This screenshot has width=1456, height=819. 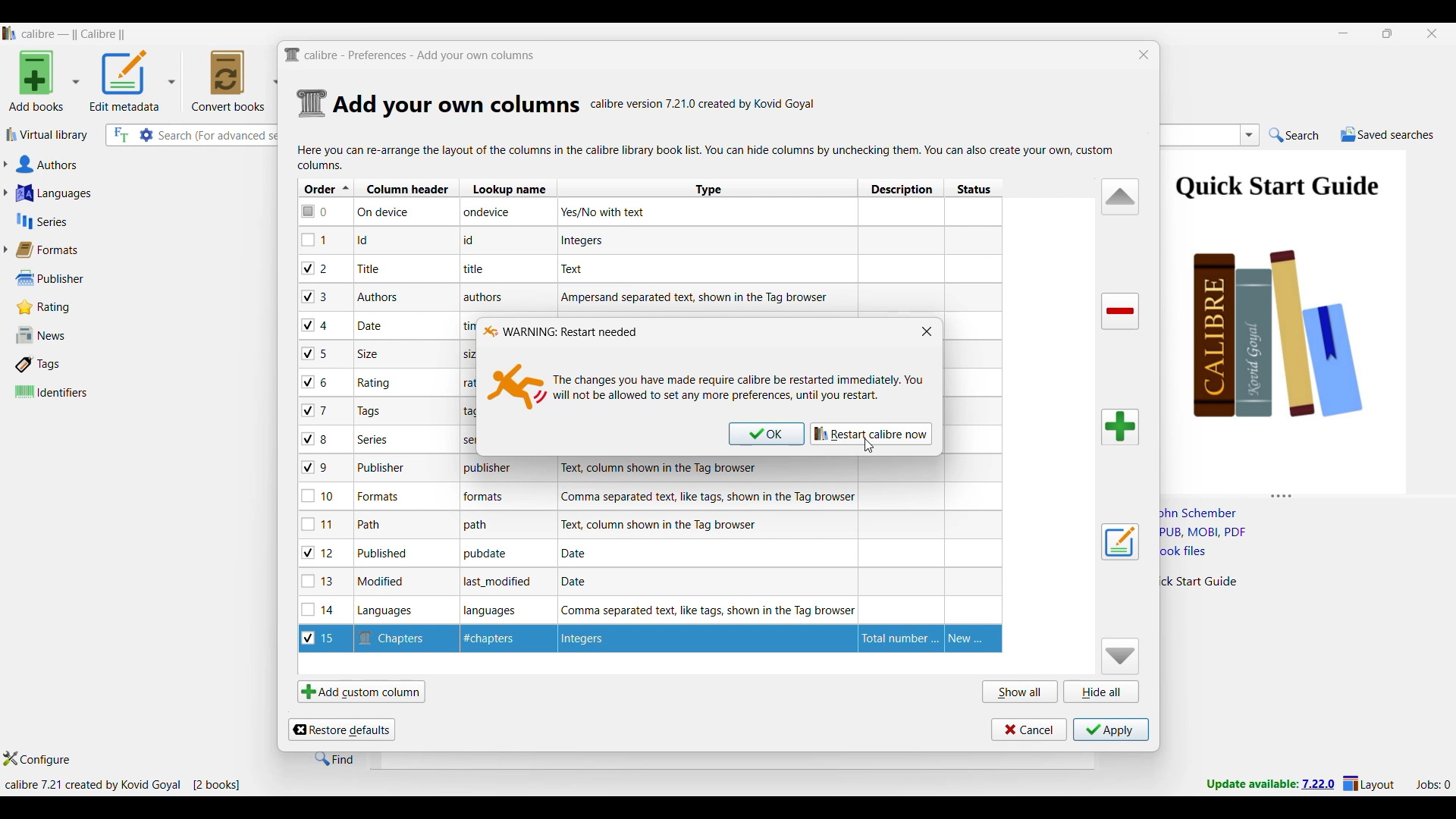 What do you see at coordinates (973, 188) in the screenshot?
I see `Status column` at bounding box center [973, 188].